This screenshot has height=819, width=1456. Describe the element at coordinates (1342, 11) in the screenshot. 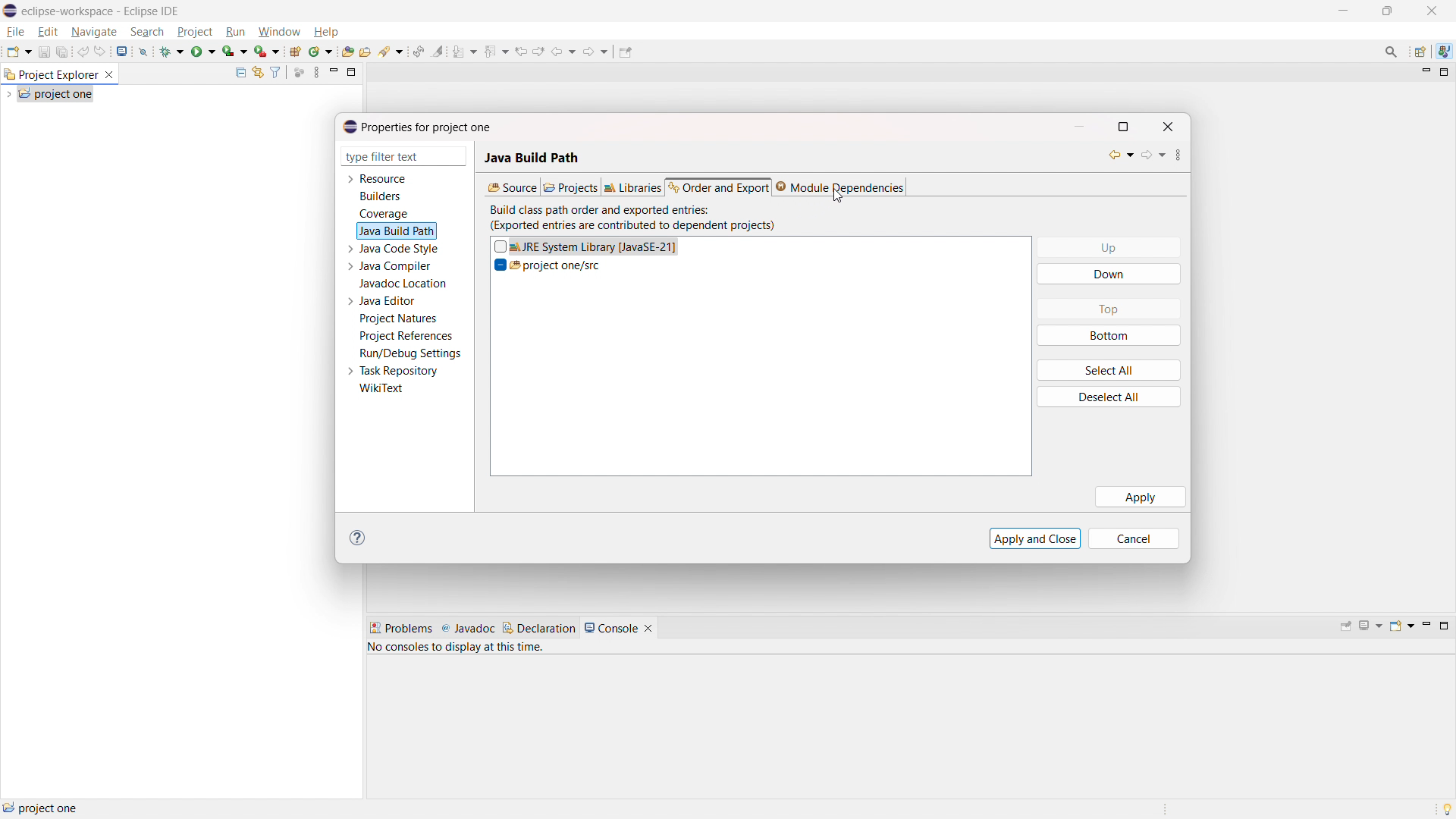

I see `maximize` at that location.